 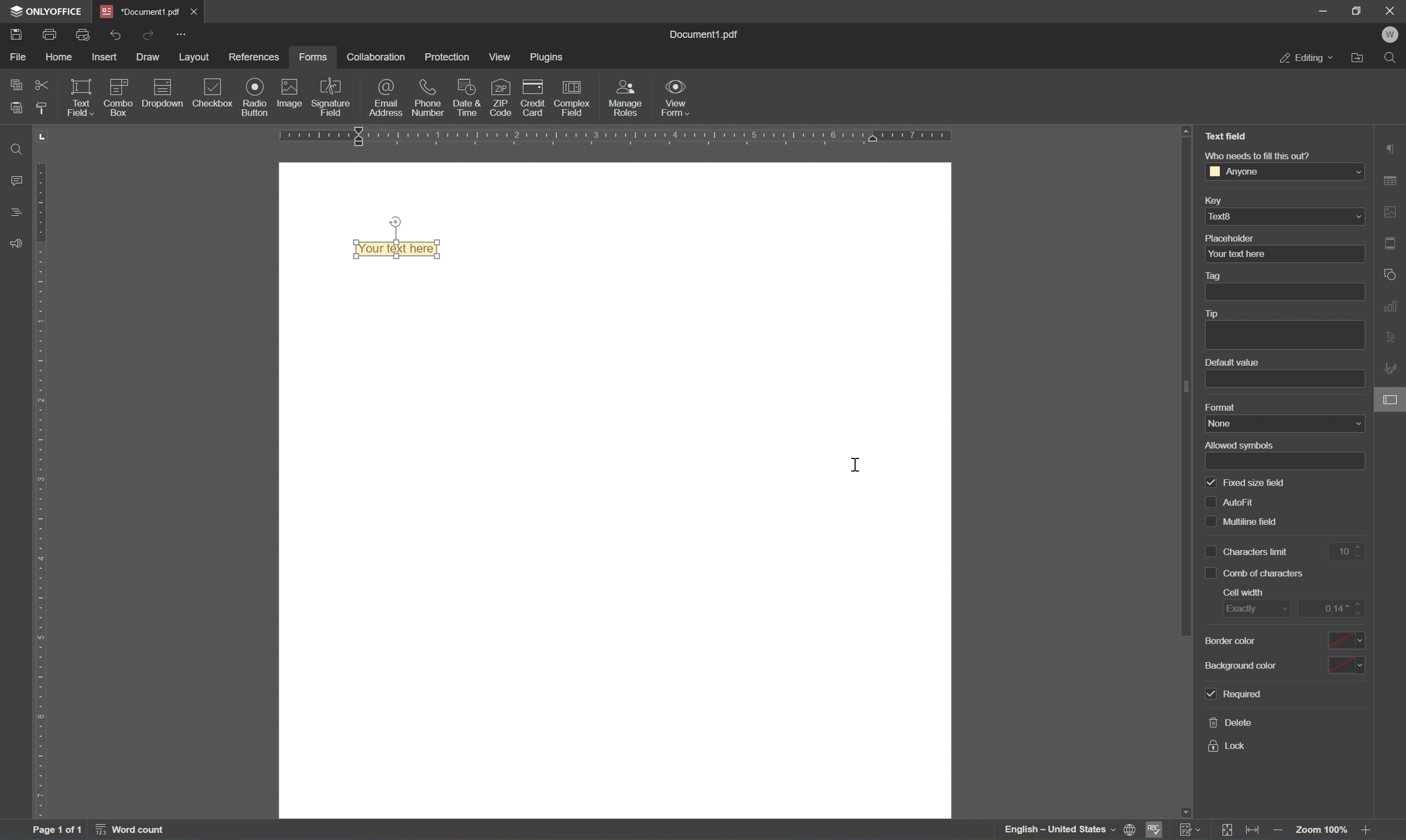 I want to click on save, so click(x=18, y=36).